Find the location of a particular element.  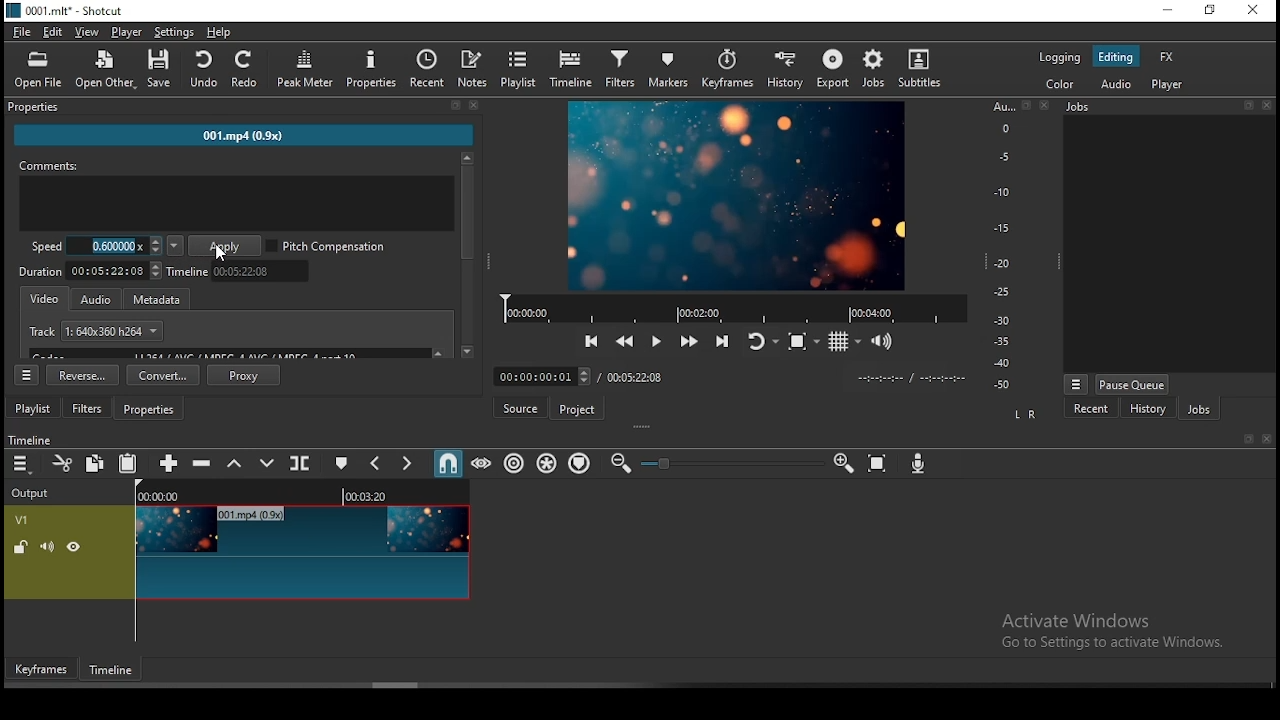

timeframe is located at coordinates (112, 669).